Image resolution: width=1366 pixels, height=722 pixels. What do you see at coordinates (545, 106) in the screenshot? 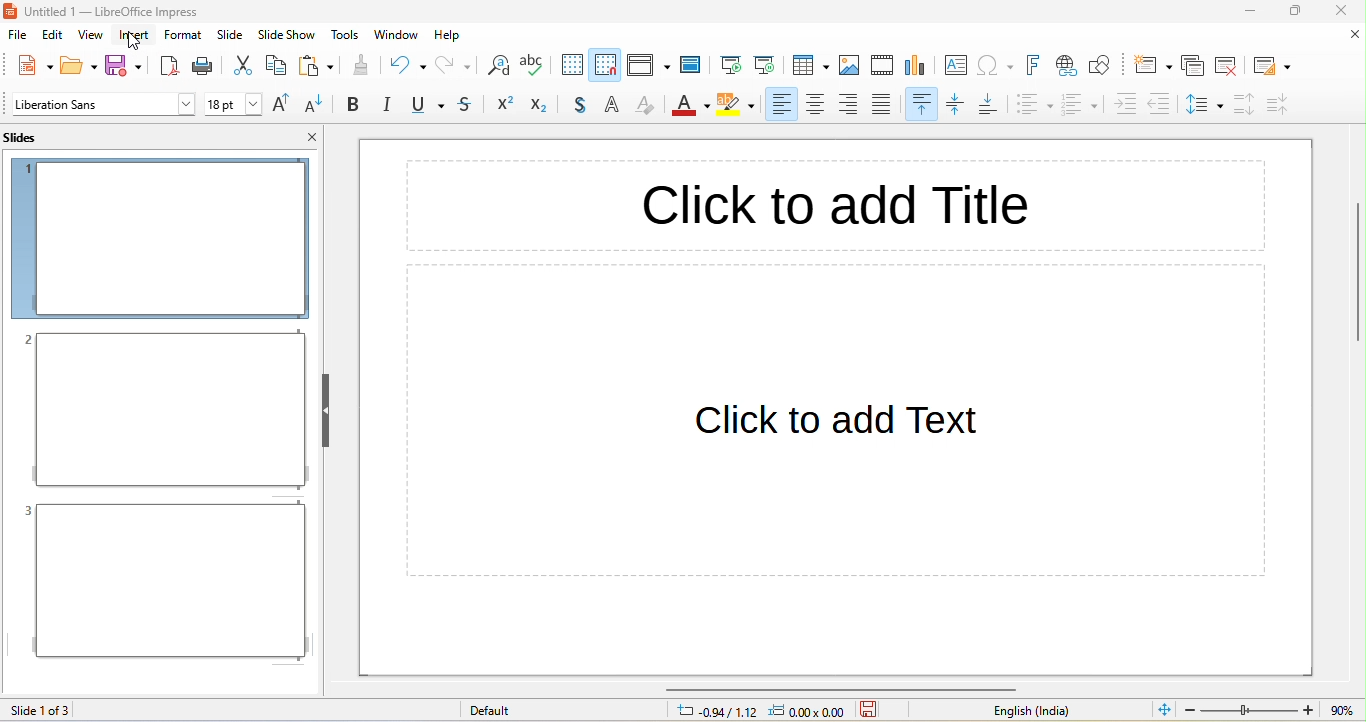
I see `subscript` at bounding box center [545, 106].